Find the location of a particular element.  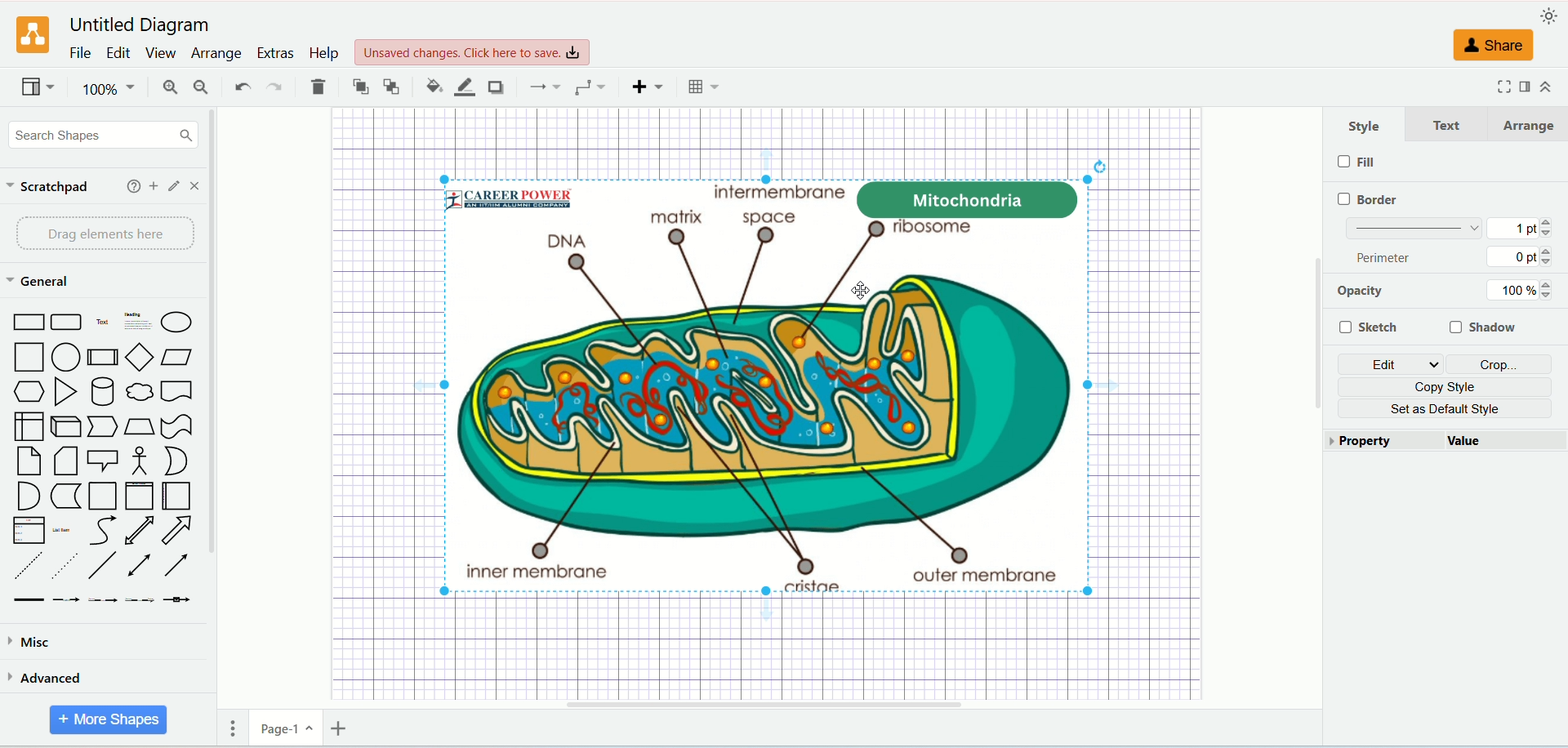

border is located at coordinates (1374, 198).